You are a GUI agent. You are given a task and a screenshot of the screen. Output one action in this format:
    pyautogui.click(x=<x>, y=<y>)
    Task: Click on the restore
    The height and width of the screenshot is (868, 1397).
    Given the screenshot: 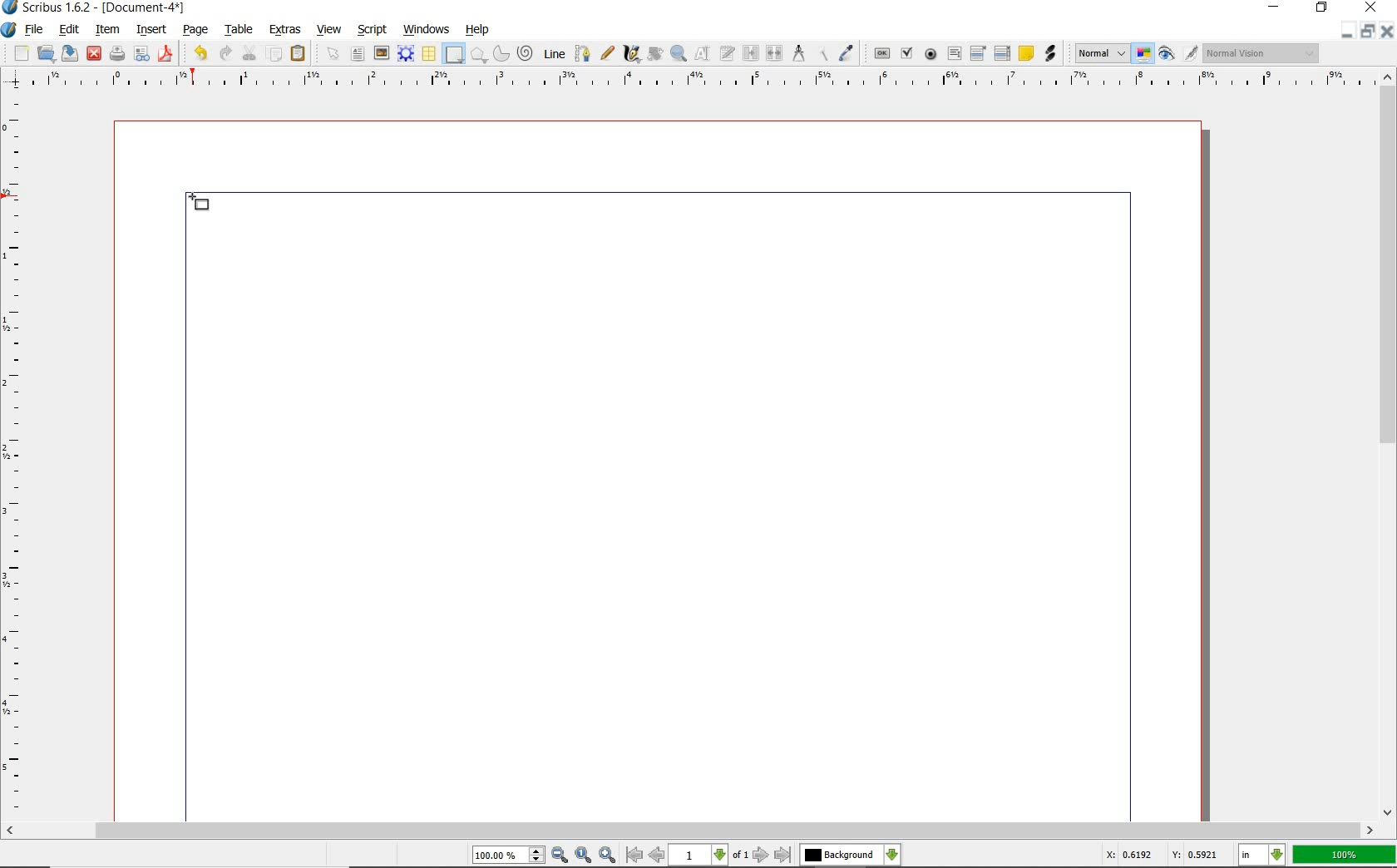 What is the action you would take?
    pyautogui.click(x=1368, y=32)
    